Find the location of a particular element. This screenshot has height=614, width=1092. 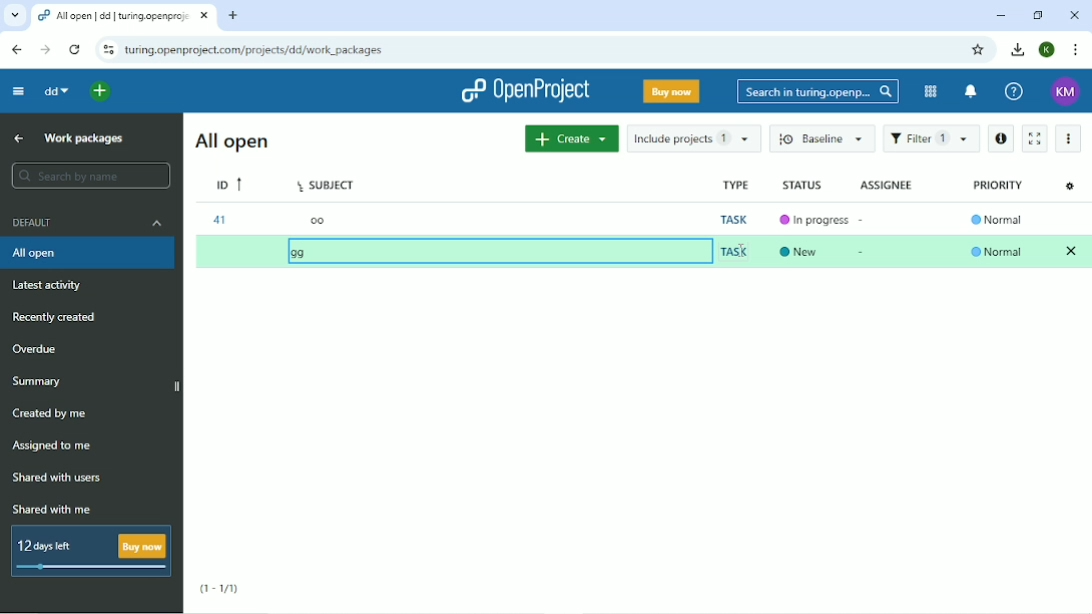

Back is located at coordinates (17, 50).